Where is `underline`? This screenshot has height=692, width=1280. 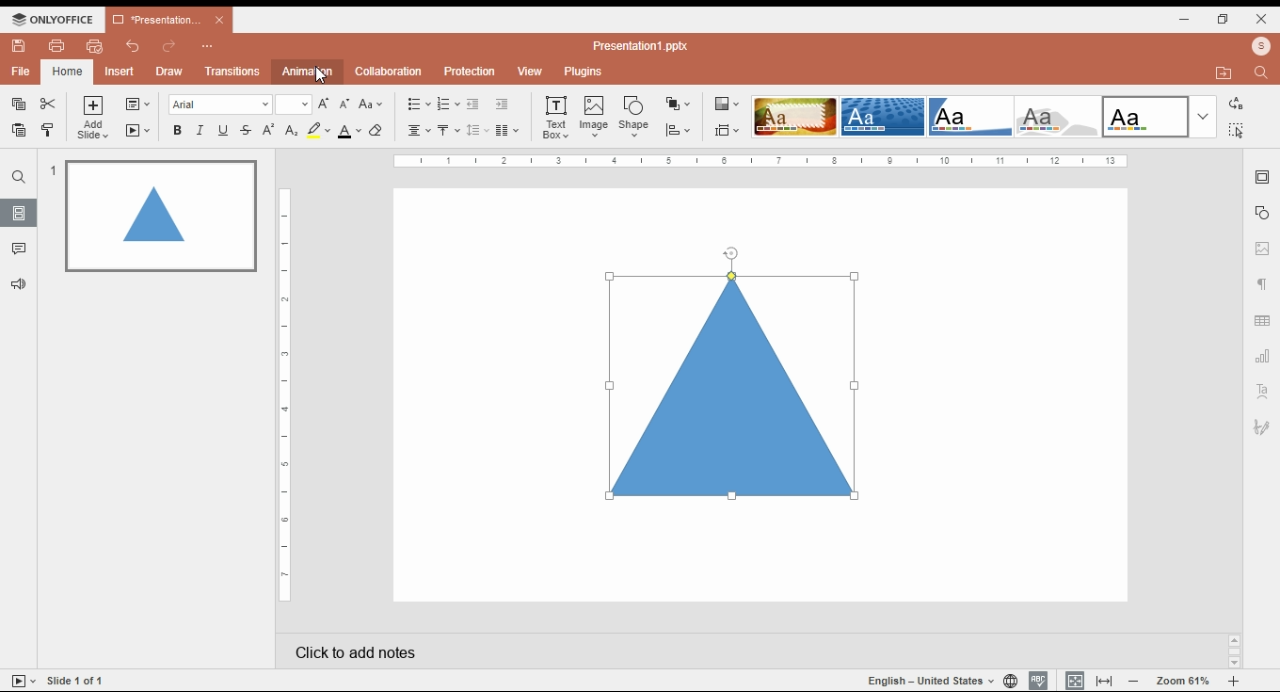
underline is located at coordinates (223, 130).